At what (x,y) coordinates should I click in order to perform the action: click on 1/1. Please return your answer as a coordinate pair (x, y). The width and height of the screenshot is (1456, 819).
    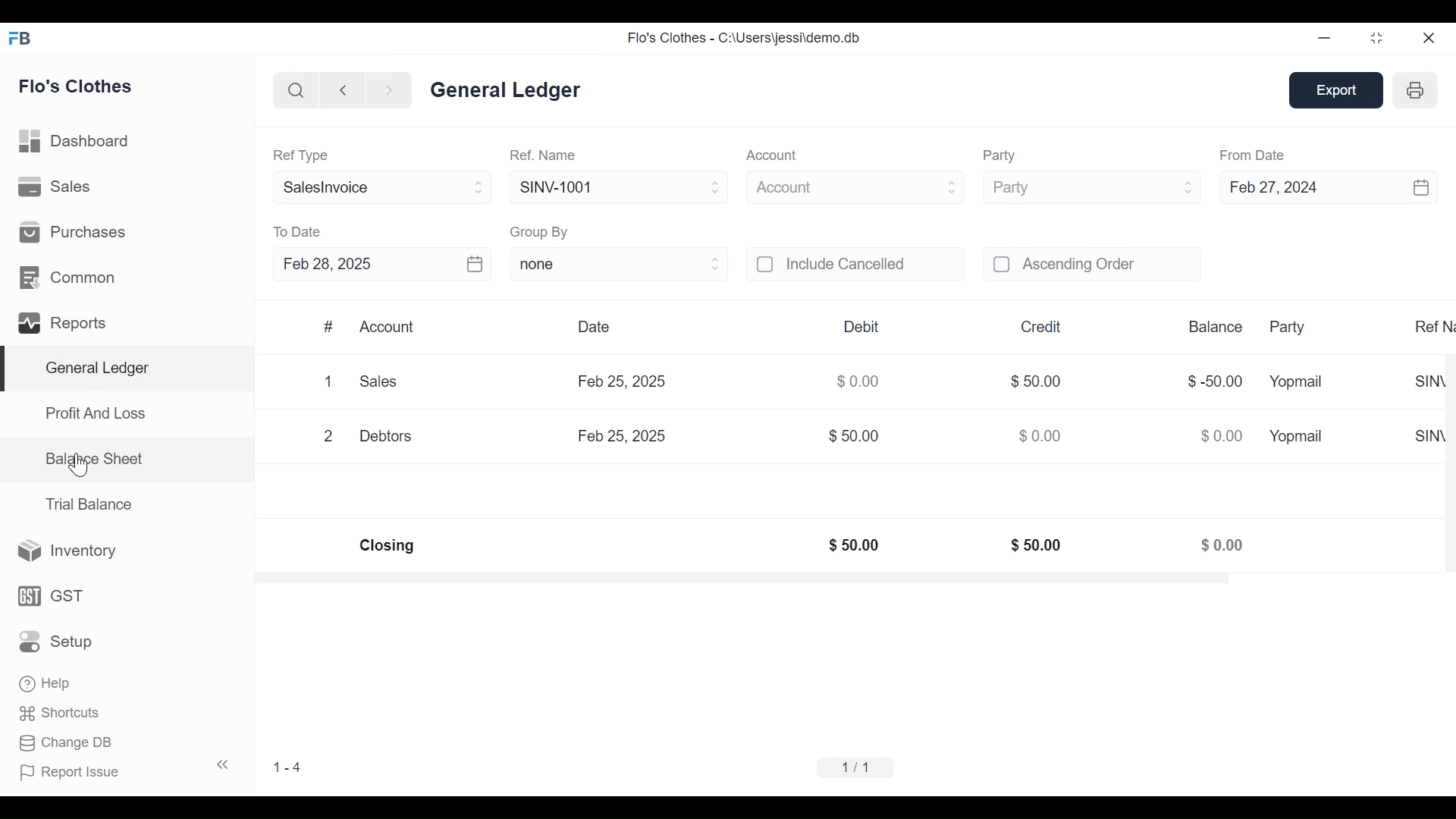
    Looking at the image, I should click on (858, 768).